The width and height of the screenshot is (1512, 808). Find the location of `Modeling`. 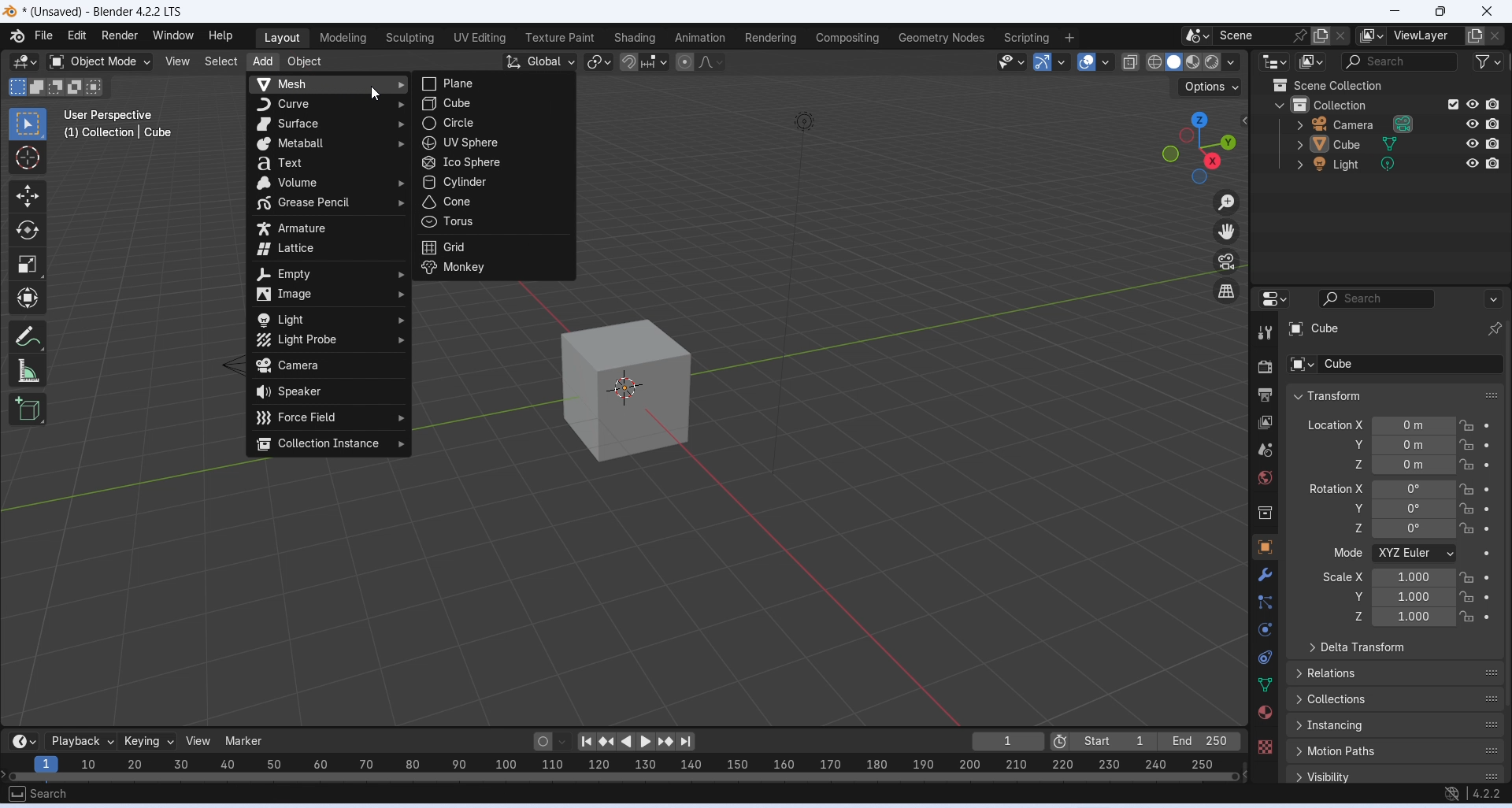

Modeling is located at coordinates (343, 38).